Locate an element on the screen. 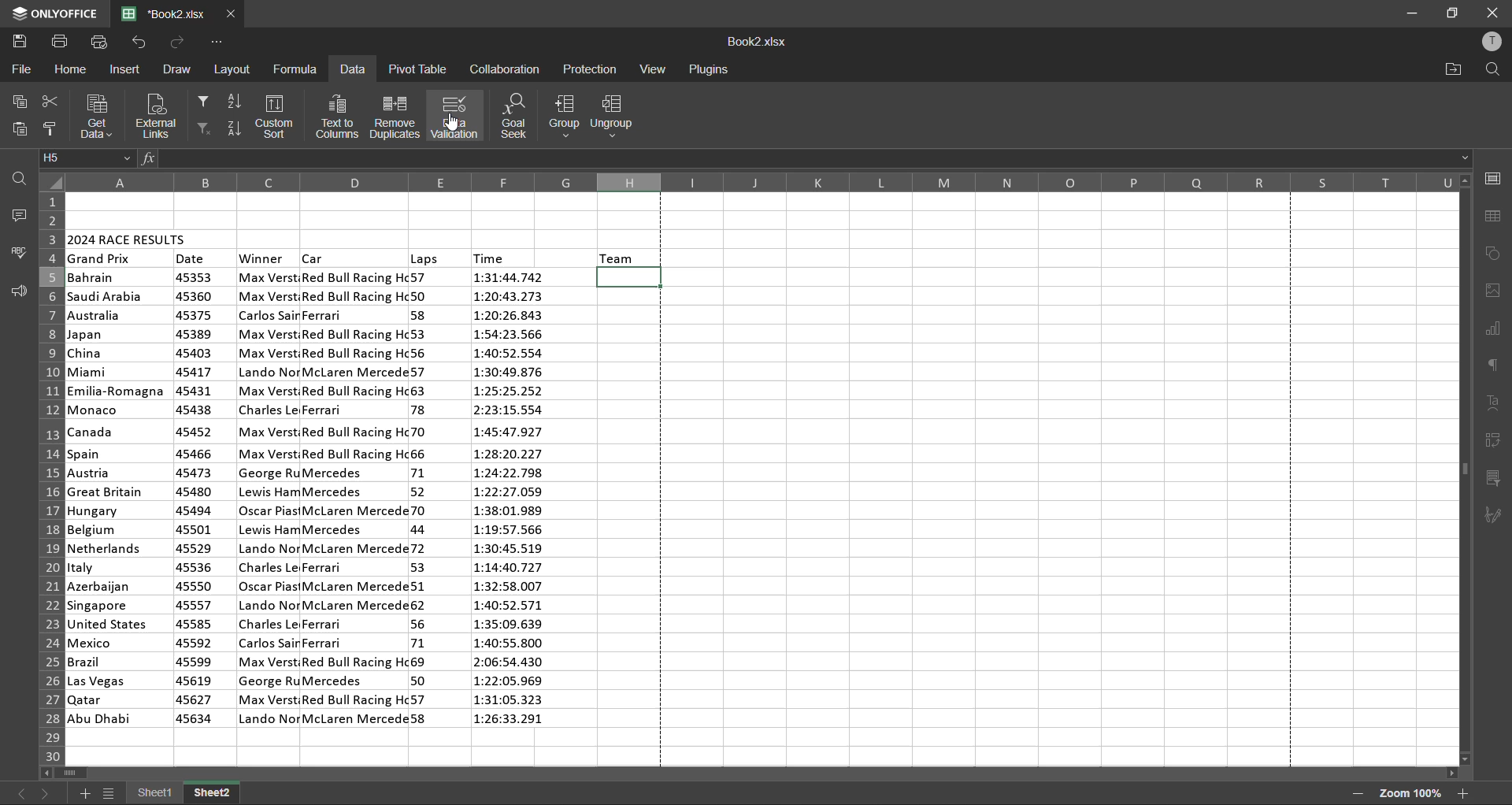 The width and height of the screenshot is (1512, 805). maximize is located at coordinates (1455, 12).